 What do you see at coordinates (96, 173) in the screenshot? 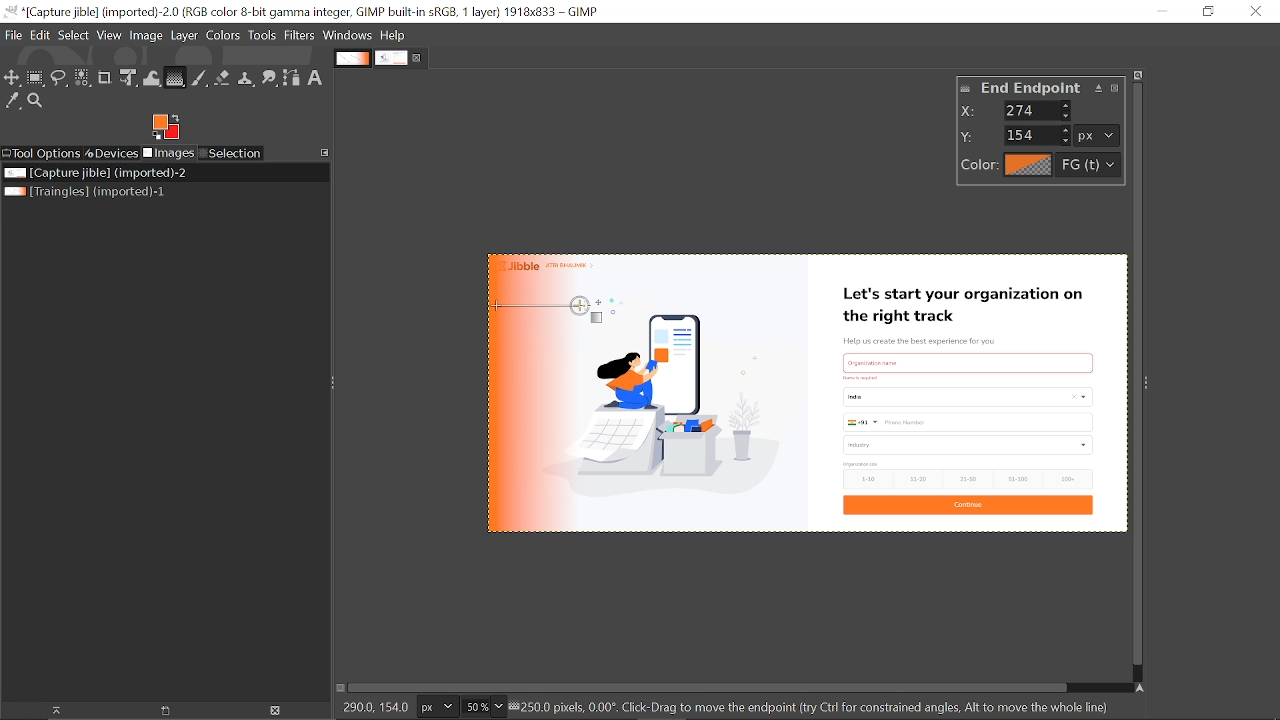
I see `Current file` at bounding box center [96, 173].